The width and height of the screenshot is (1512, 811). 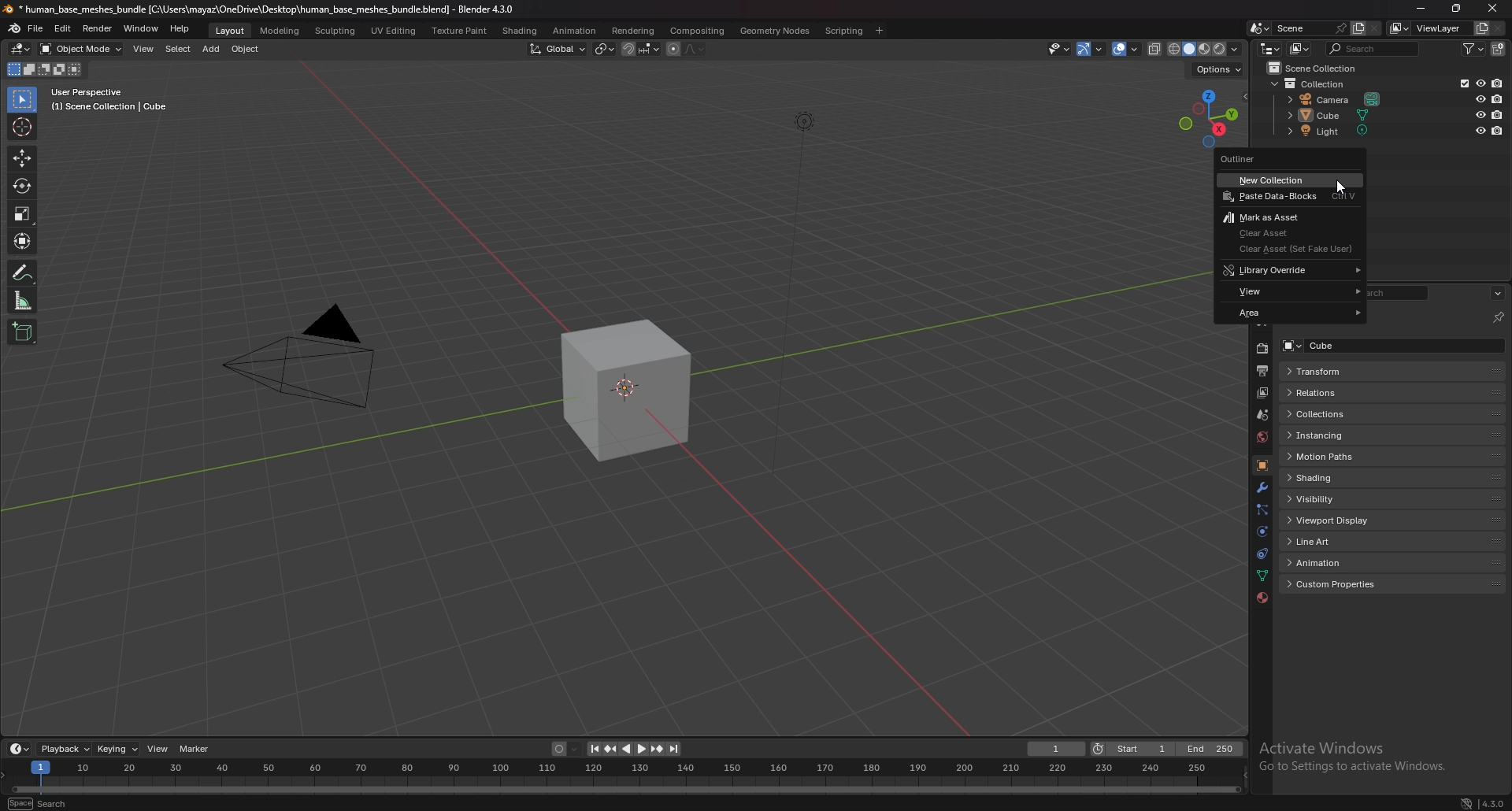 I want to click on cursor, so click(x=1337, y=184).